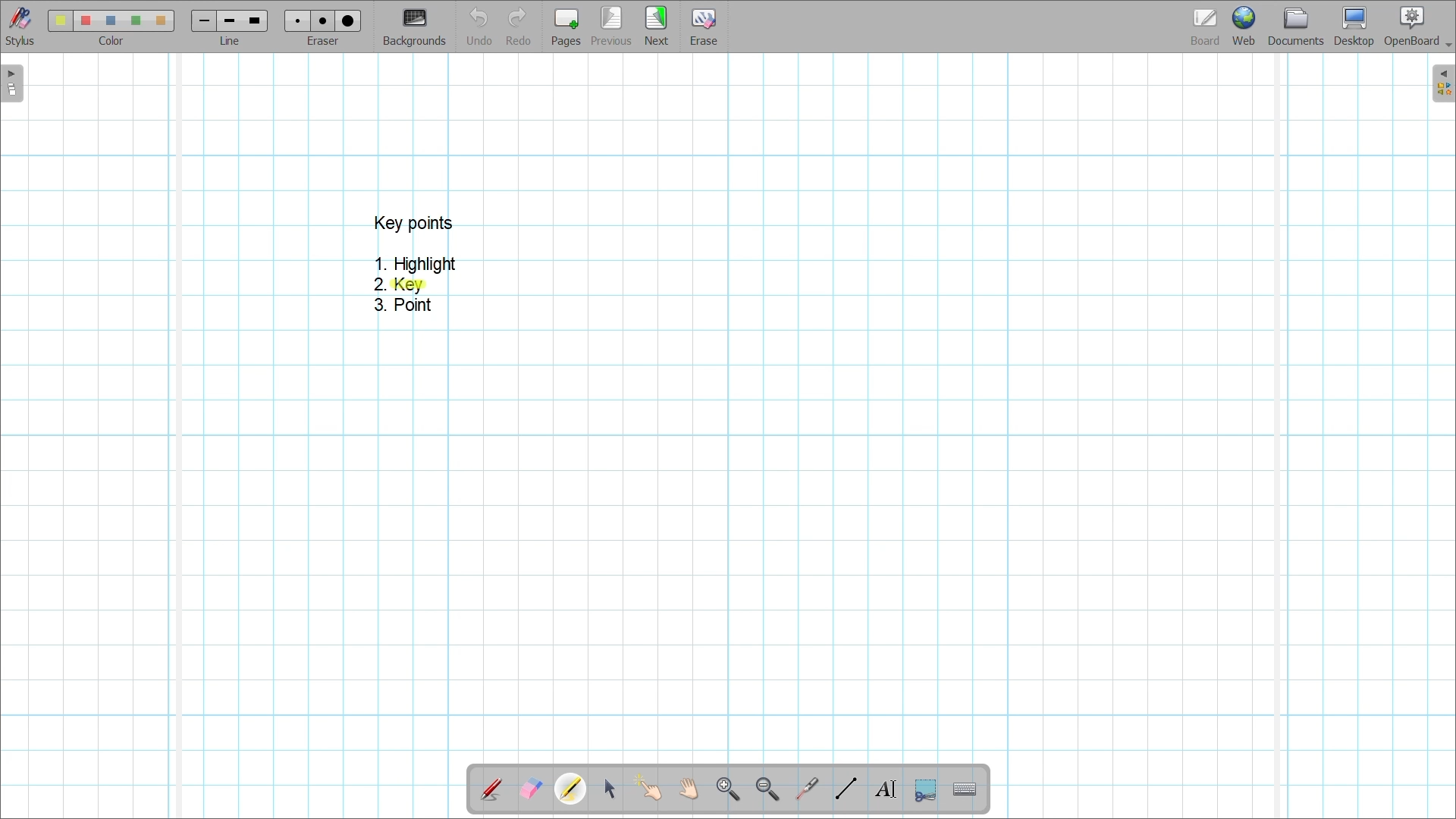 This screenshot has height=819, width=1456. Describe the element at coordinates (12, 83) in the screenshot. I see `Left sidebar` at that location.